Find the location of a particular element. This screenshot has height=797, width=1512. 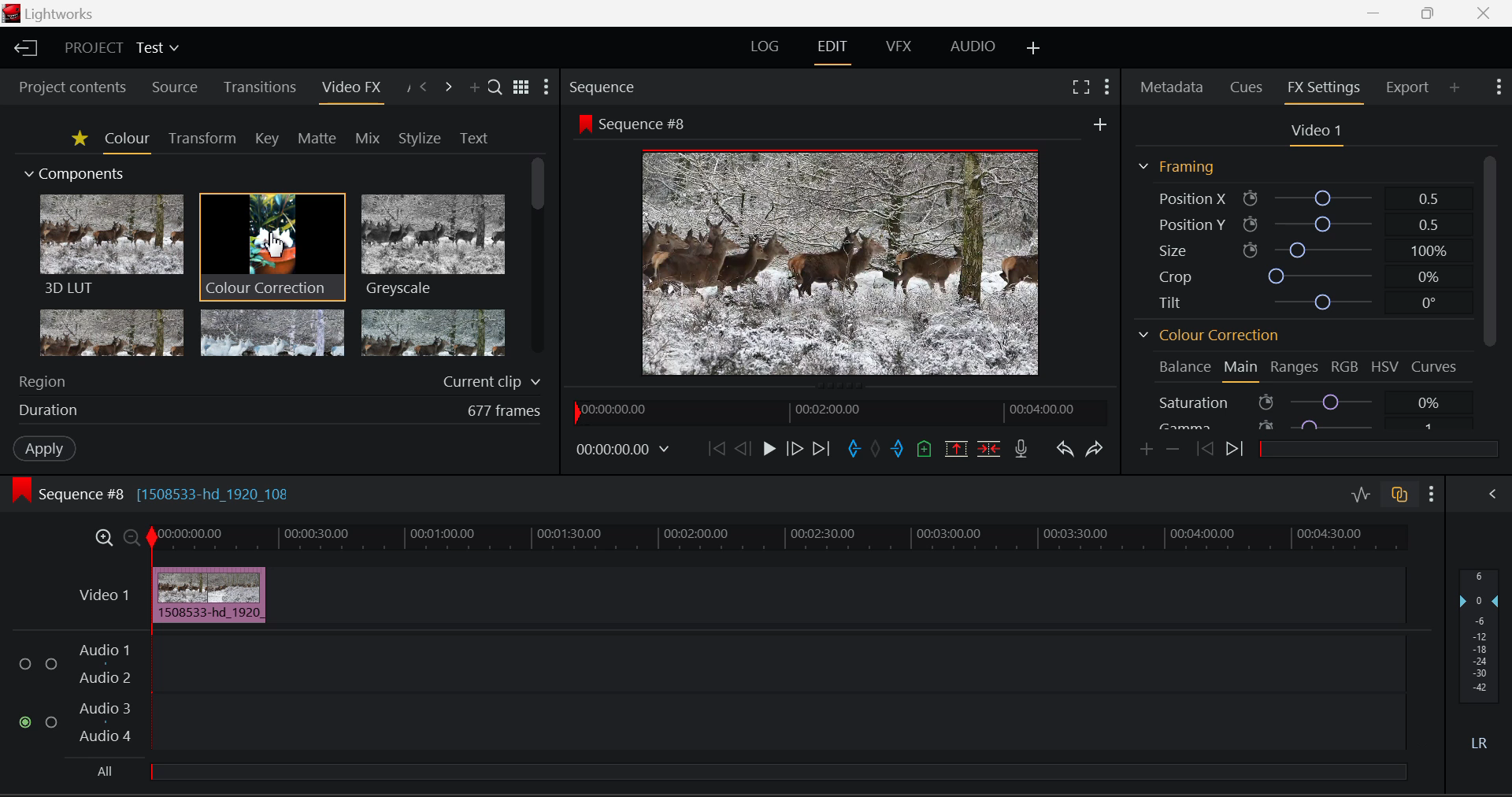

Sequence #8 Editing Section is located at coordinates (148, 493).